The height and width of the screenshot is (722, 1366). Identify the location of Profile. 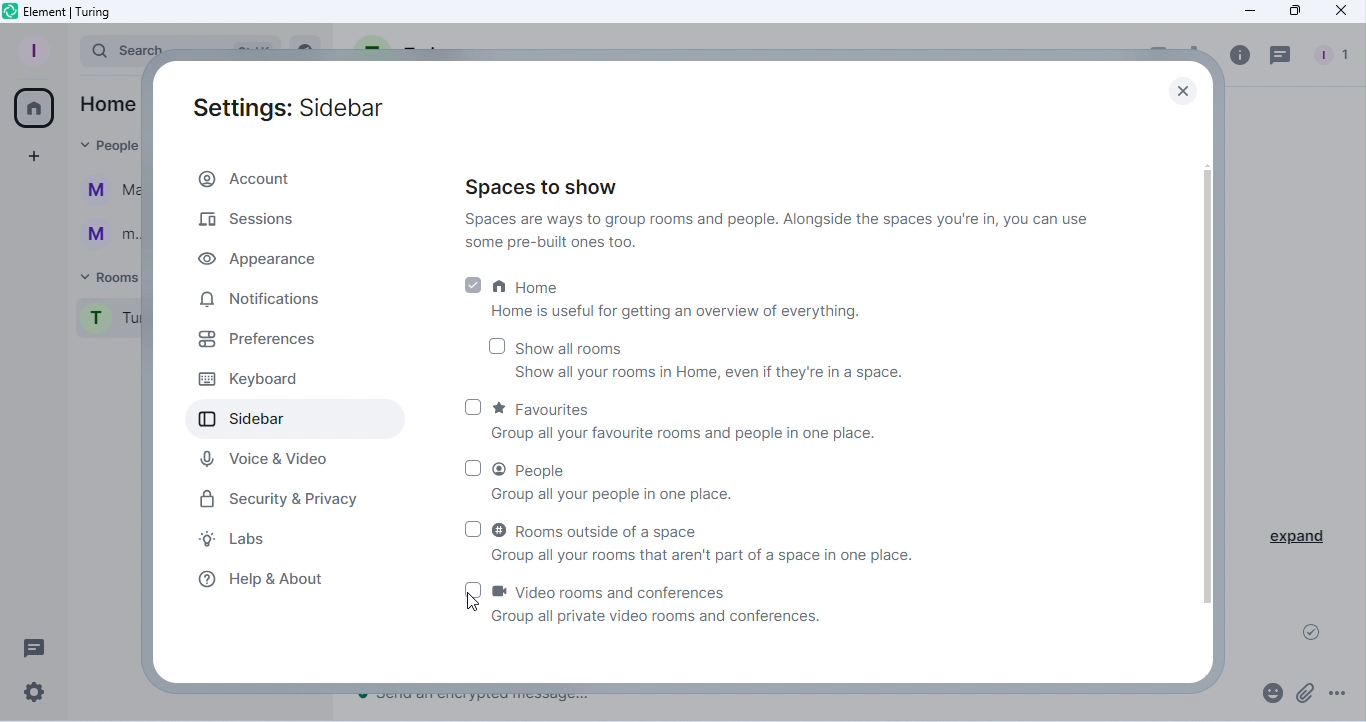
(34, 49).